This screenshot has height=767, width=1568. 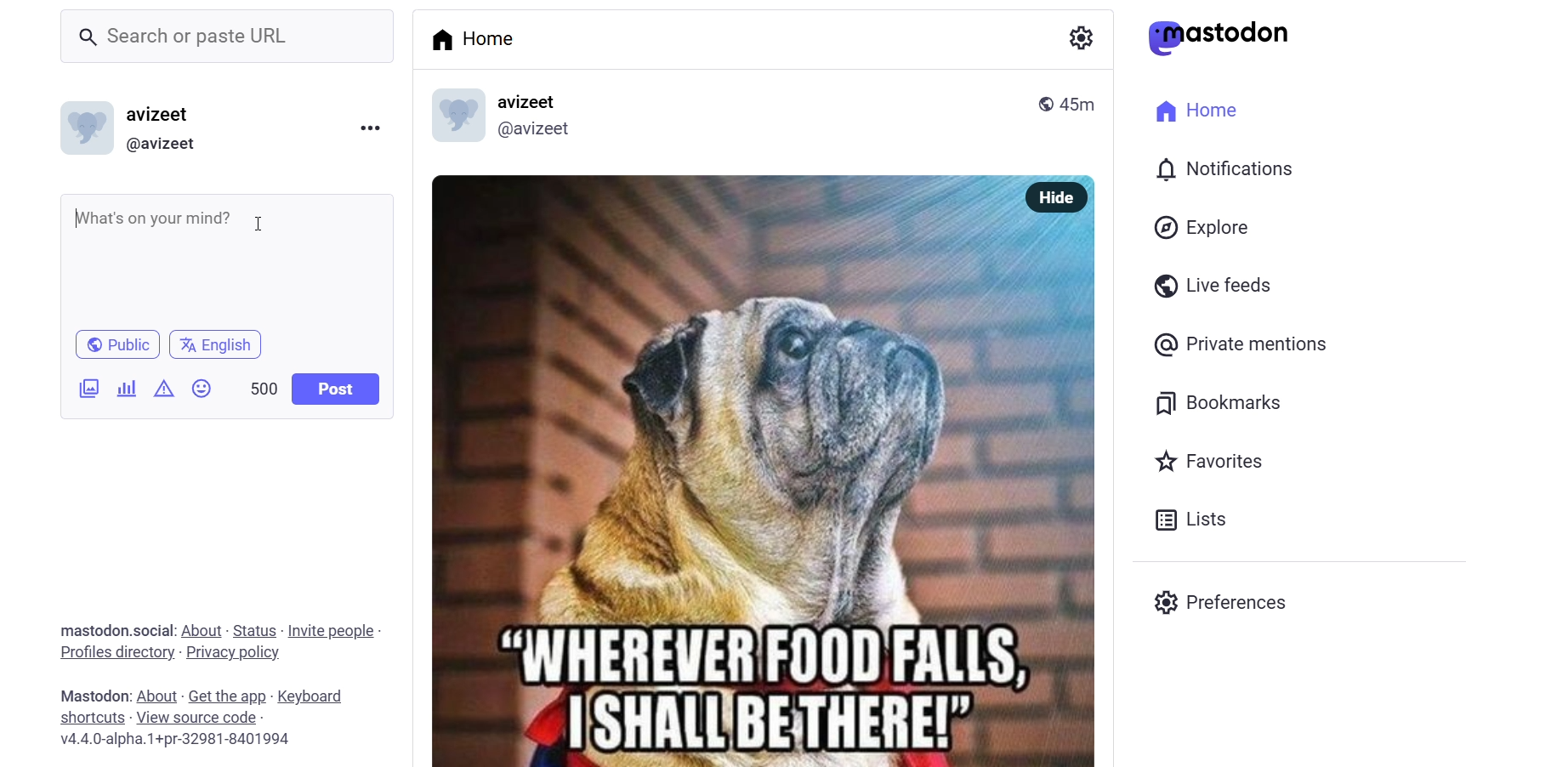 I want to click on Hide |, so click(x=1067, y=201).